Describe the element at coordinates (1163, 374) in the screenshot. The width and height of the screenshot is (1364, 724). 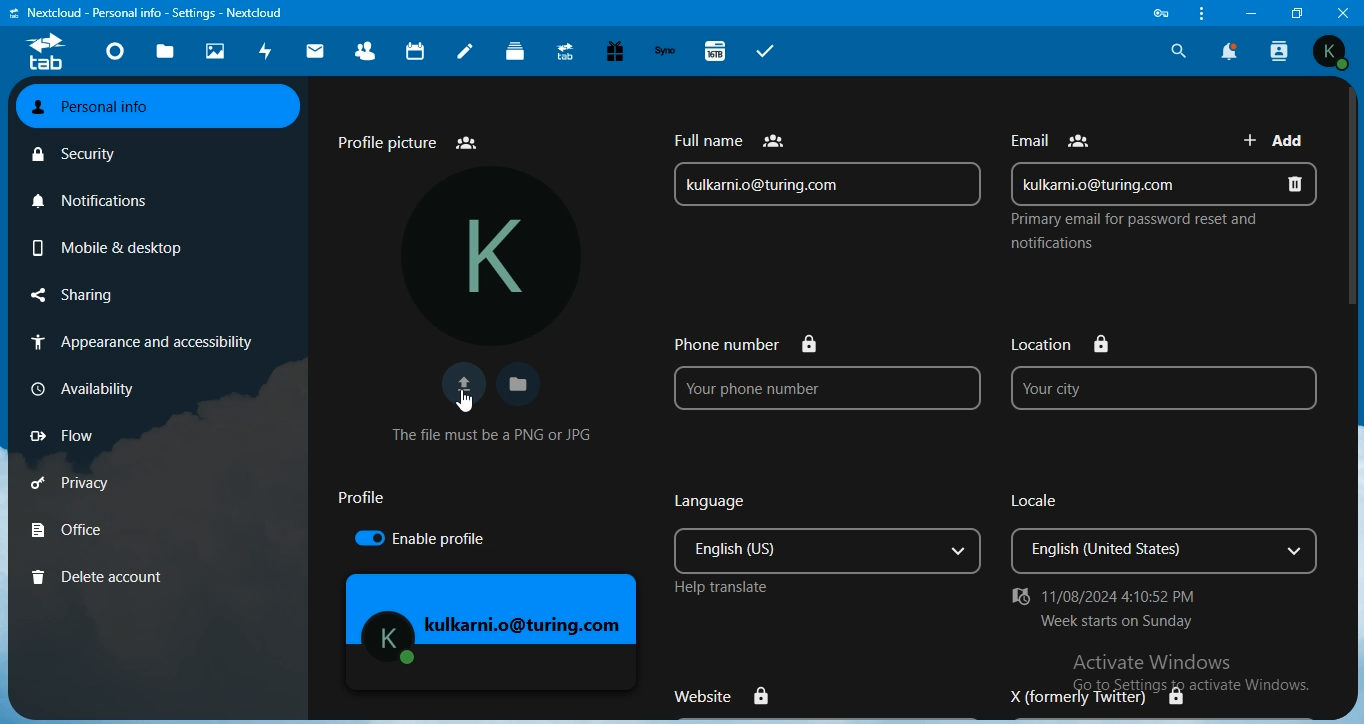
I see `location` at that location.